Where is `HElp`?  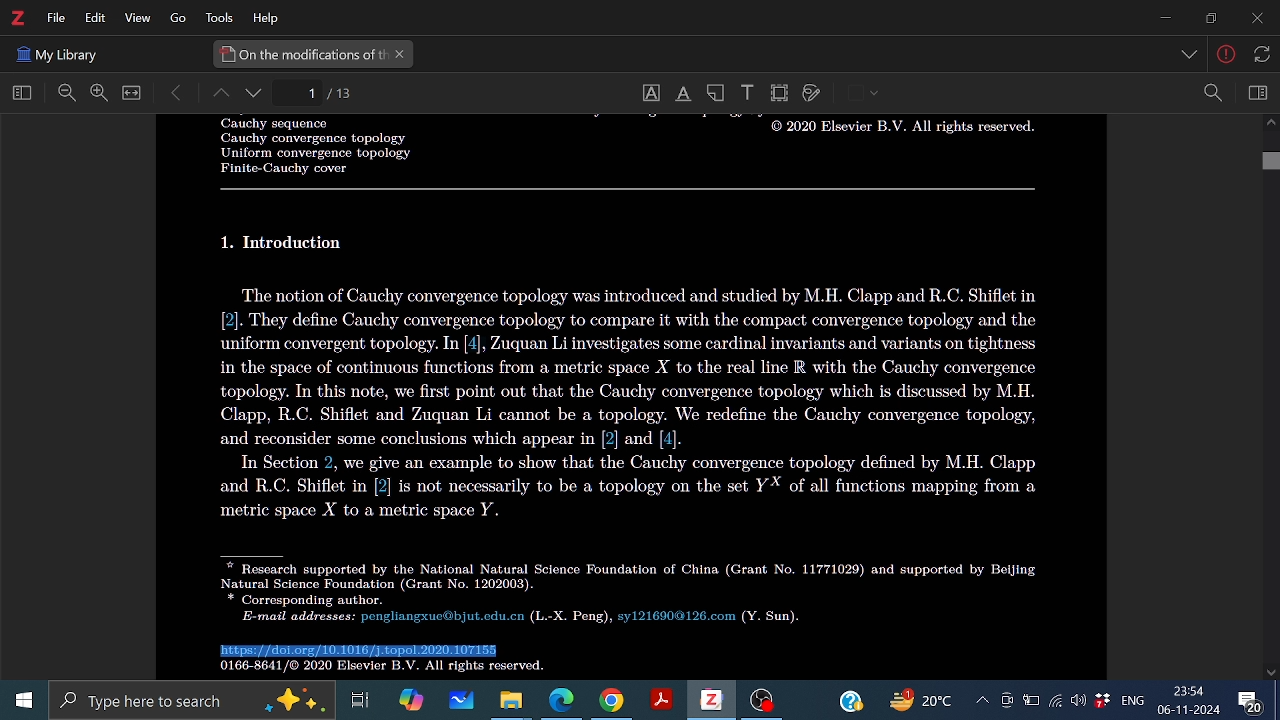 HElp is located at coordinates (270, 17).